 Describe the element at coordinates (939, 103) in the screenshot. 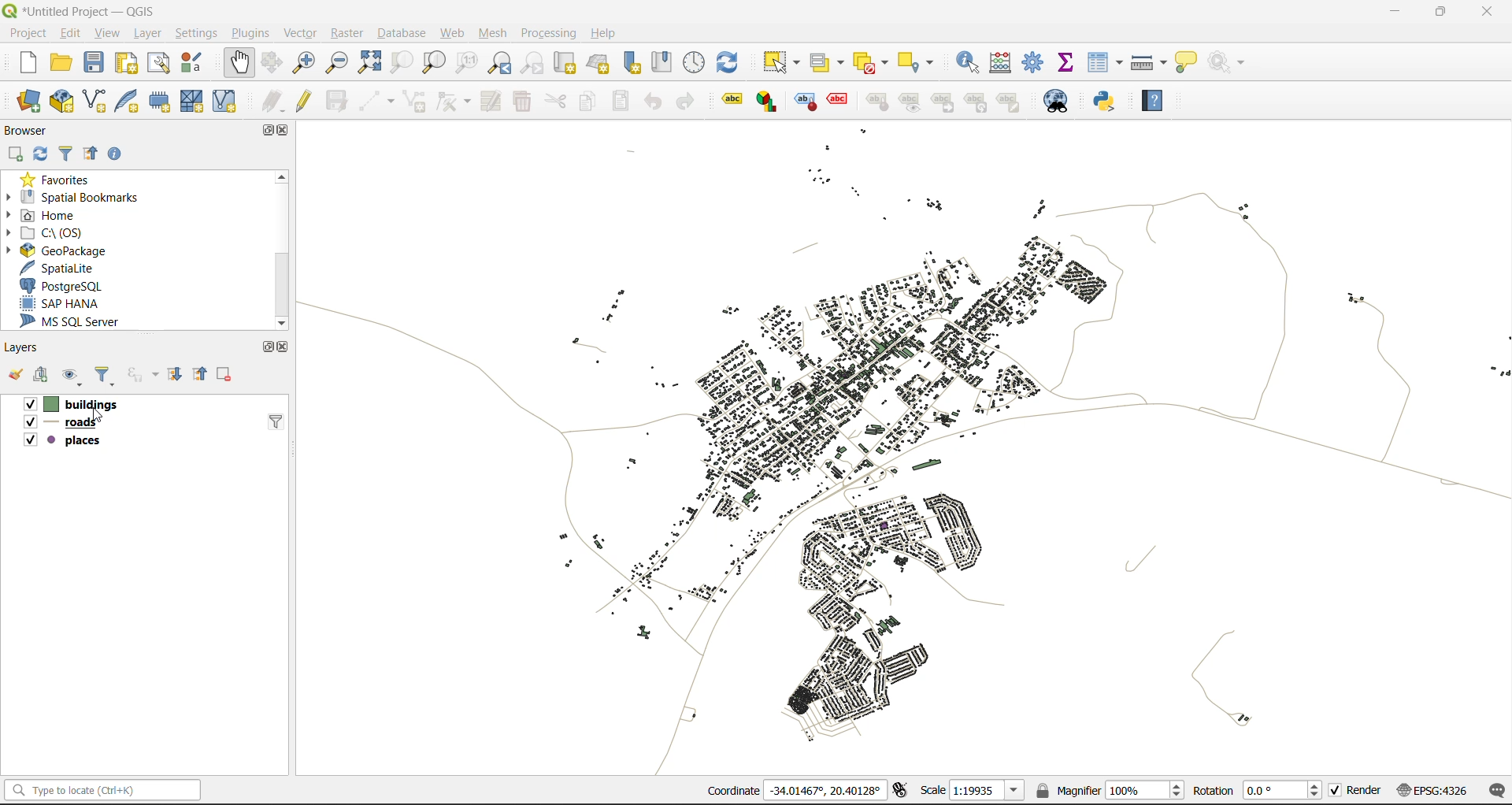

I see `move a label and diagram` at that location.